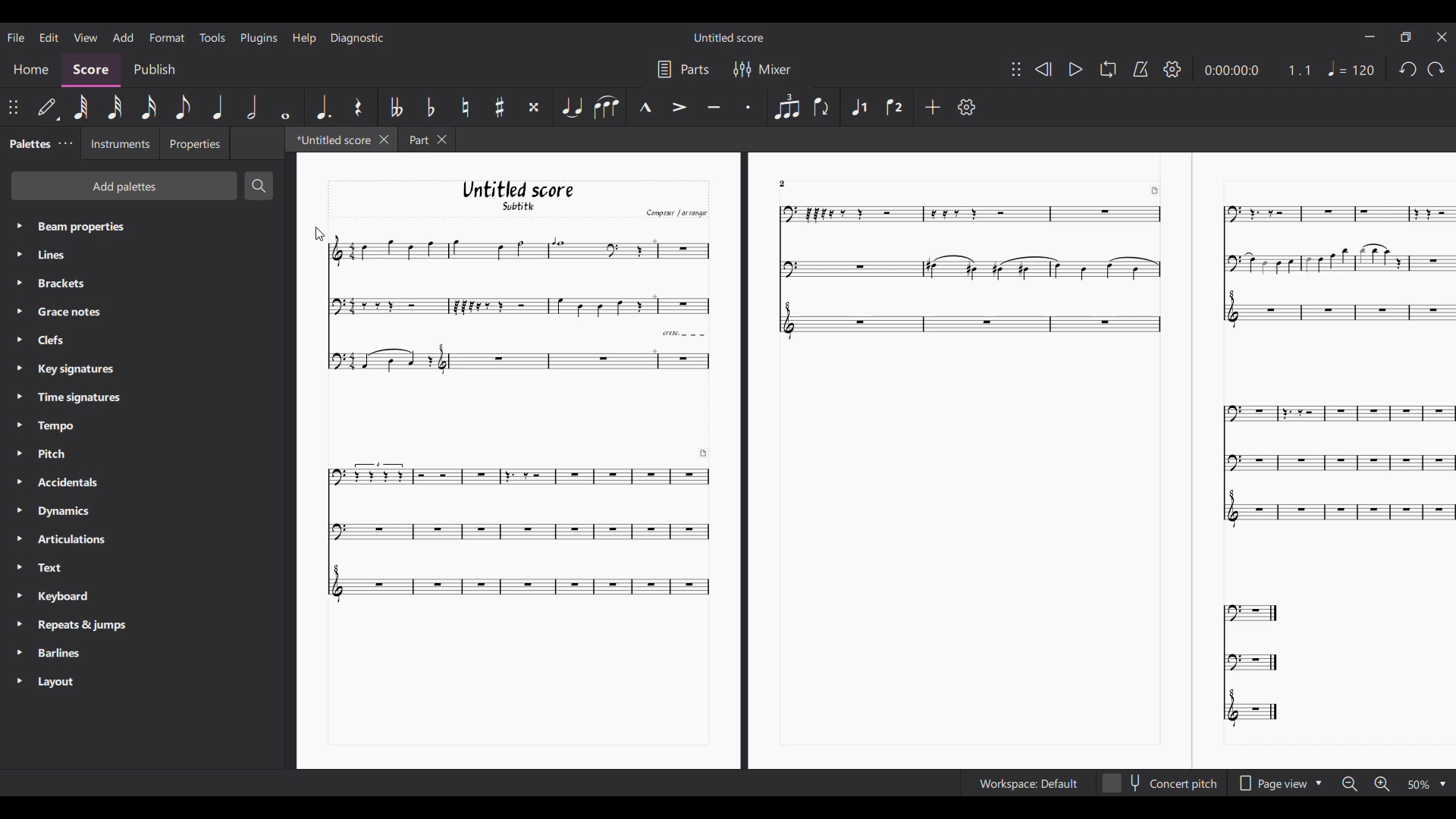 The image size is (1456, 819). Describe the element at coordinates (219, 107) in the screenshot. I see `Quarter note` at that location.